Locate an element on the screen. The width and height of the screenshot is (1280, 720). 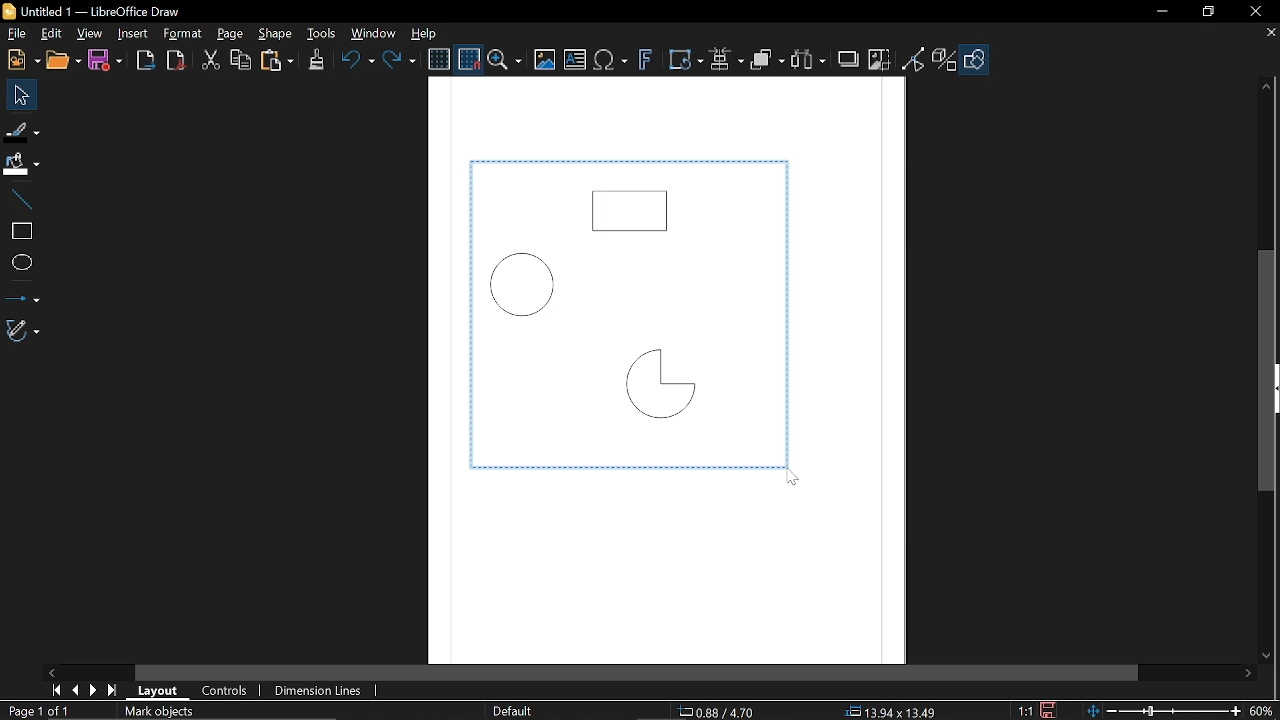
Vertical line around objects is located at coordinates (466, 315).